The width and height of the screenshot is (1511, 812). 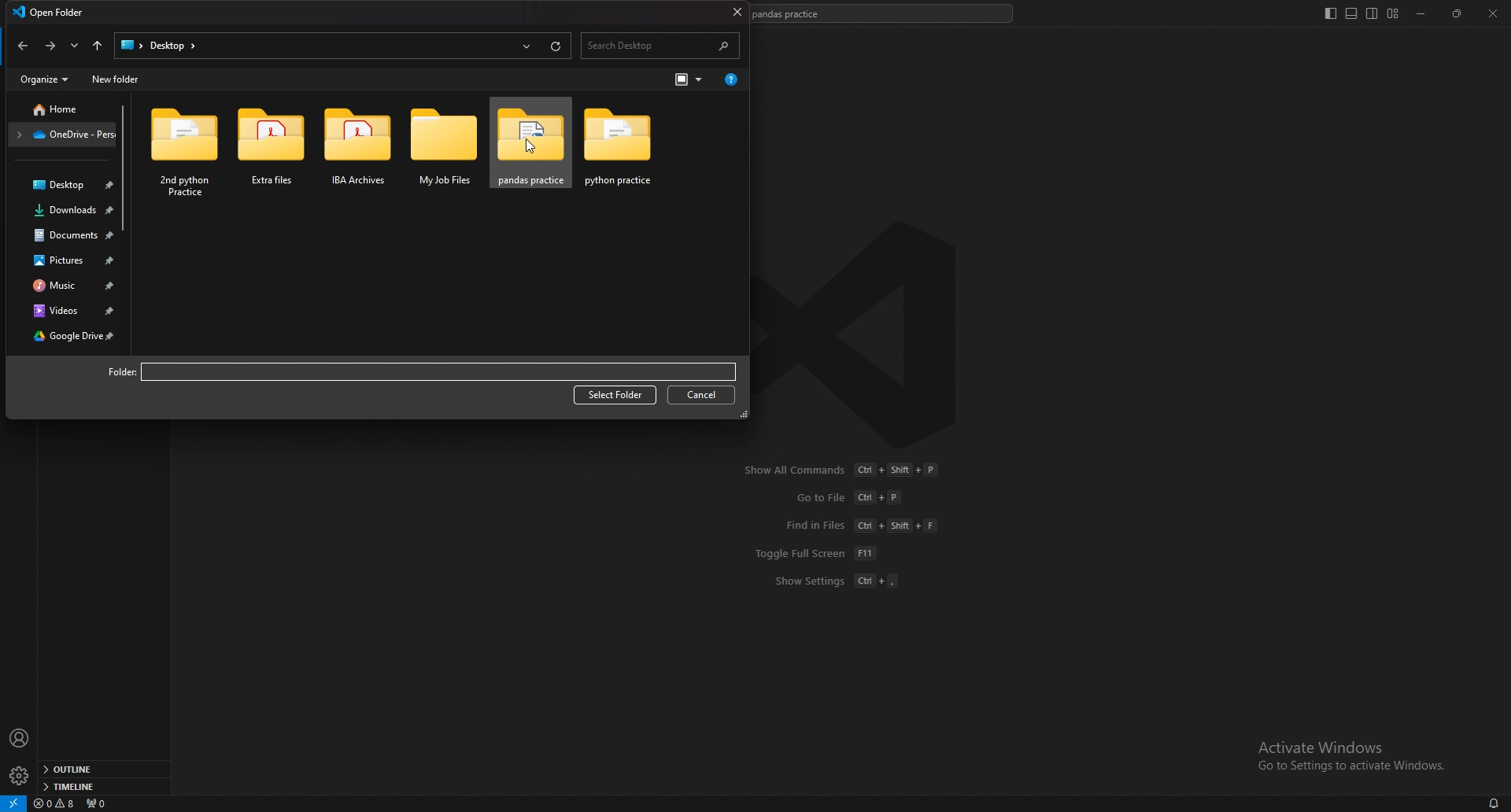 I want to click on alarms, so click(x=1494, y=803).